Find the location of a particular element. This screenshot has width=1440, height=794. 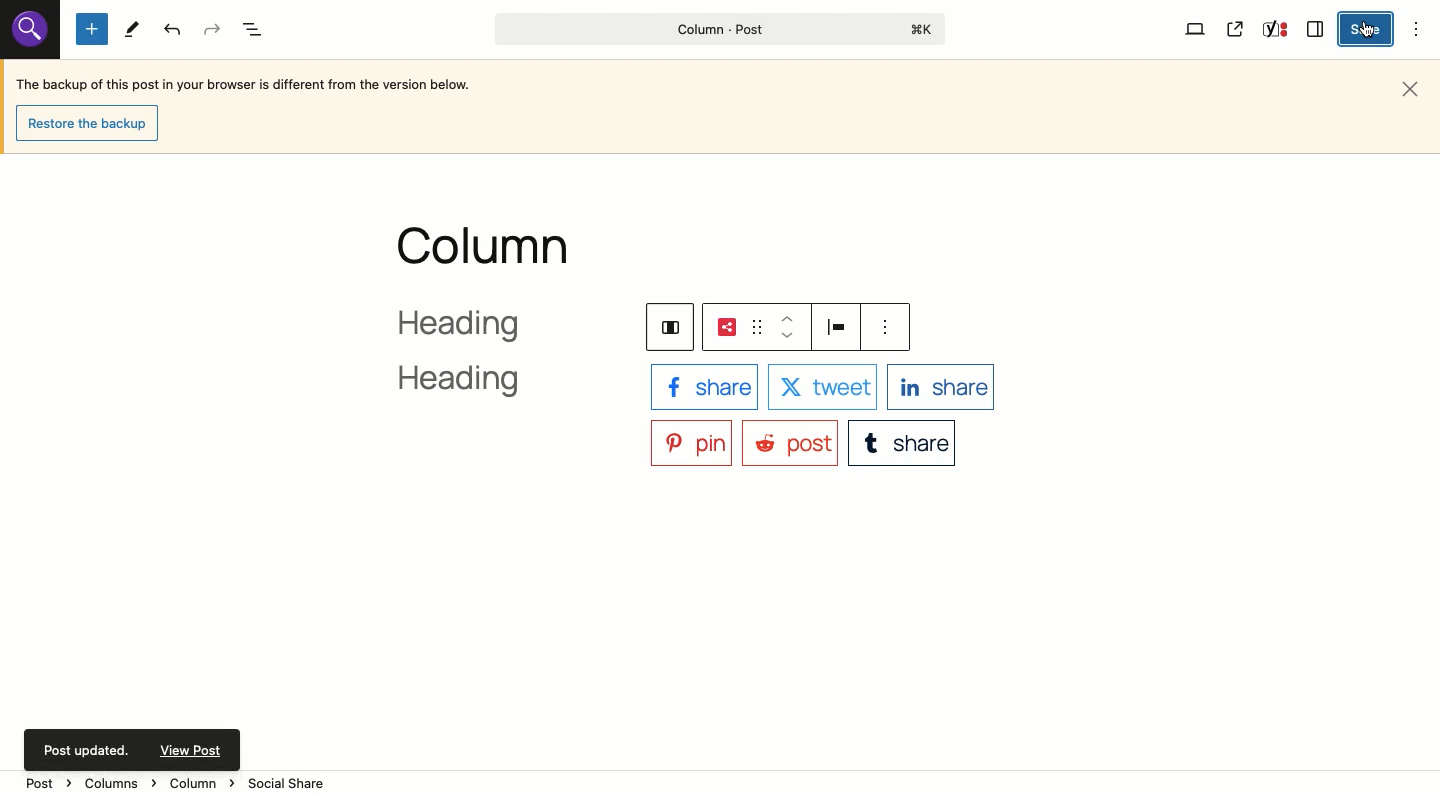

Yoast is located at coordinates (1273, 31).